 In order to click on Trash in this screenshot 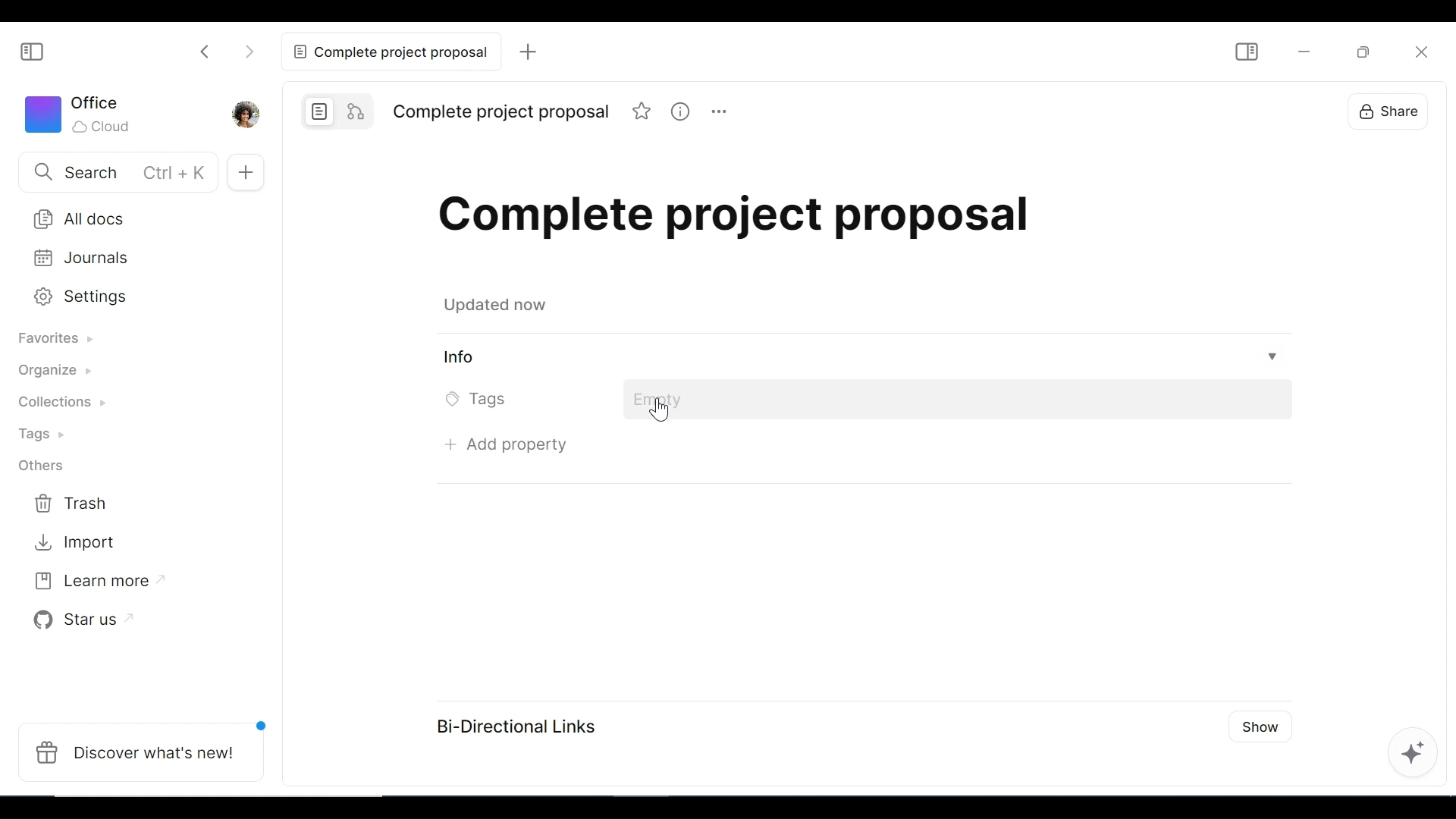, I will do `click(72, 504)`.